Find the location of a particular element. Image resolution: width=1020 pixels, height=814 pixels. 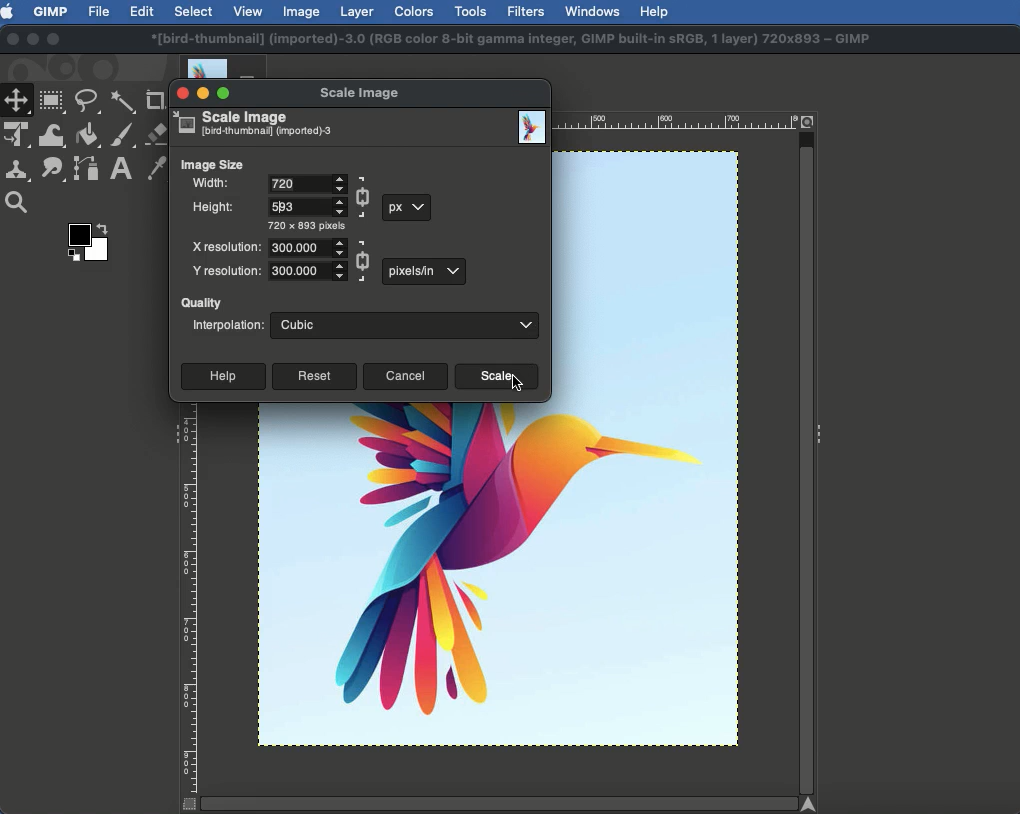

Text is located at coordinates (118, 170).